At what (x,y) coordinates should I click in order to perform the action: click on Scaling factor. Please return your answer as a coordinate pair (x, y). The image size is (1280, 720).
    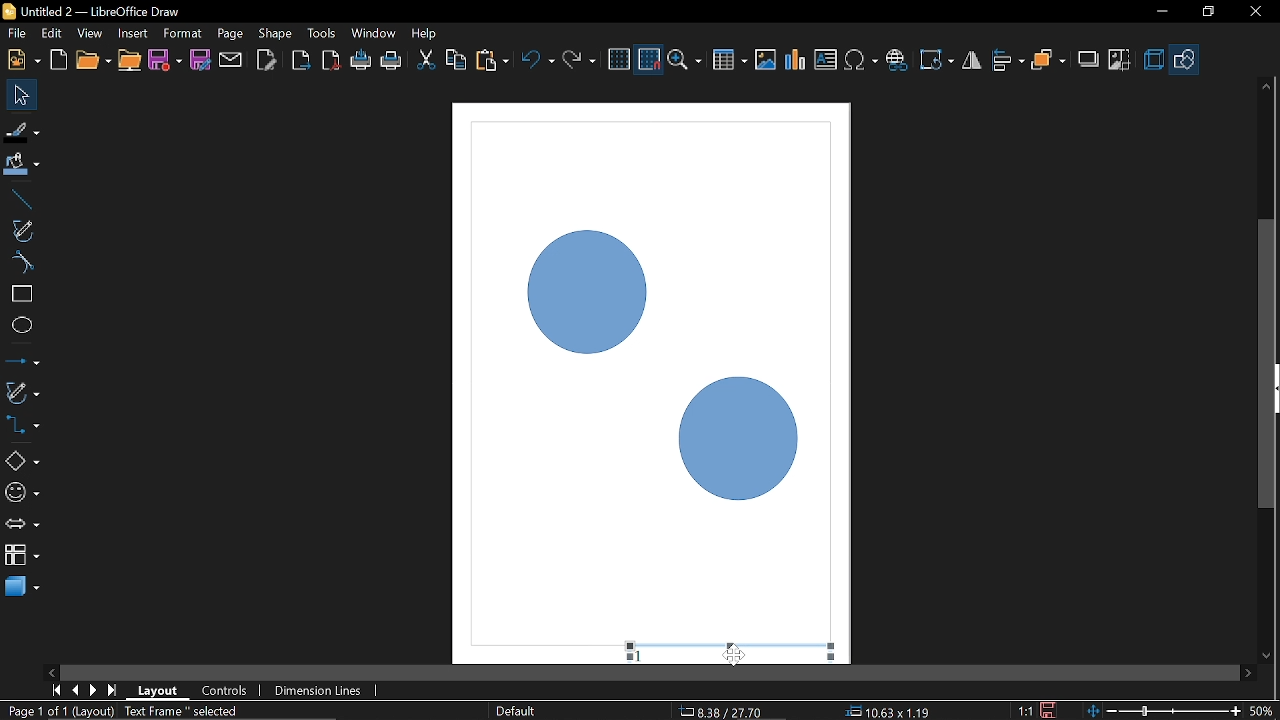
    Looking at the image, I should click on (1025, 711).